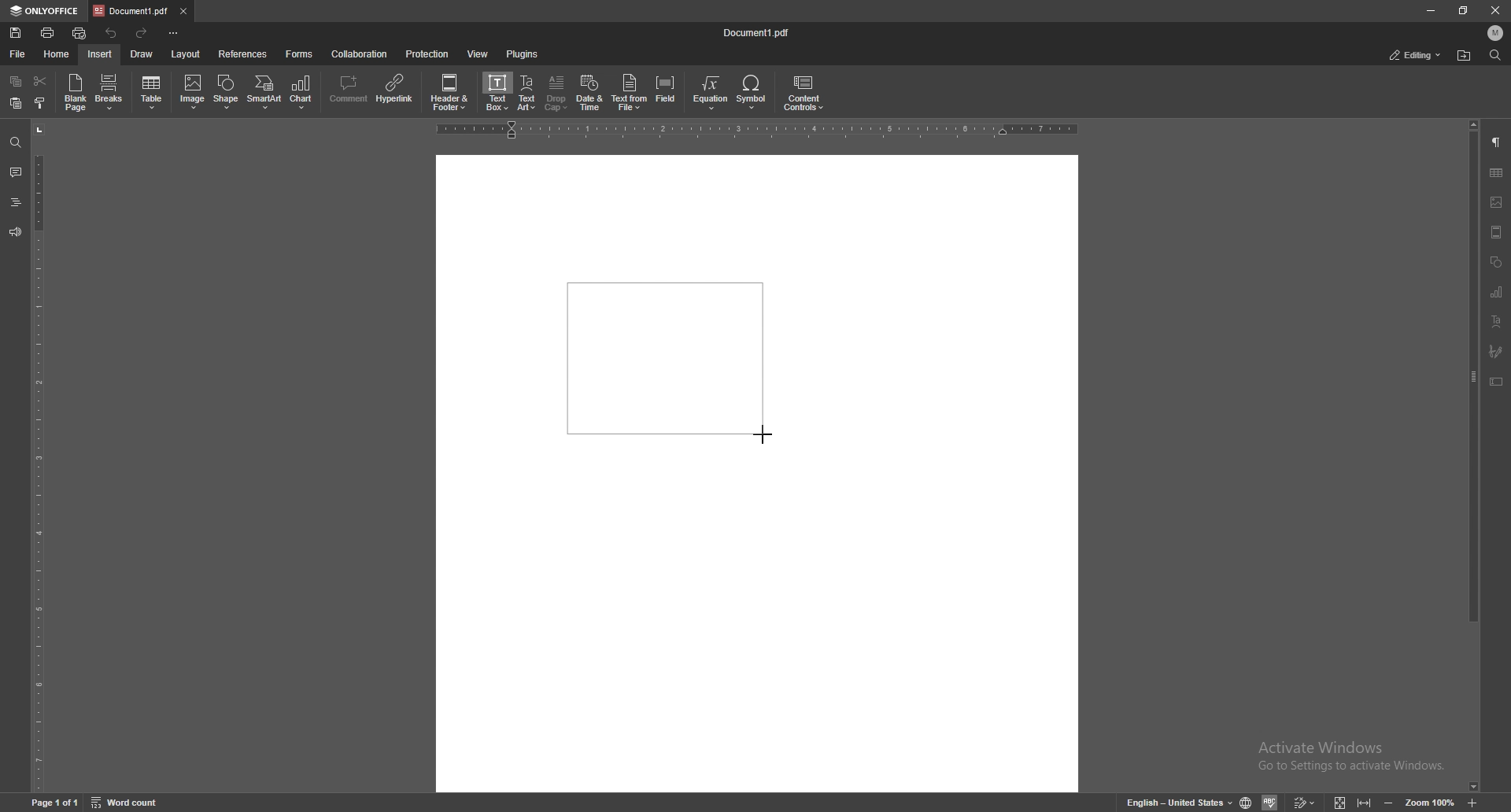  I want to click on chart, so click(304, 92).